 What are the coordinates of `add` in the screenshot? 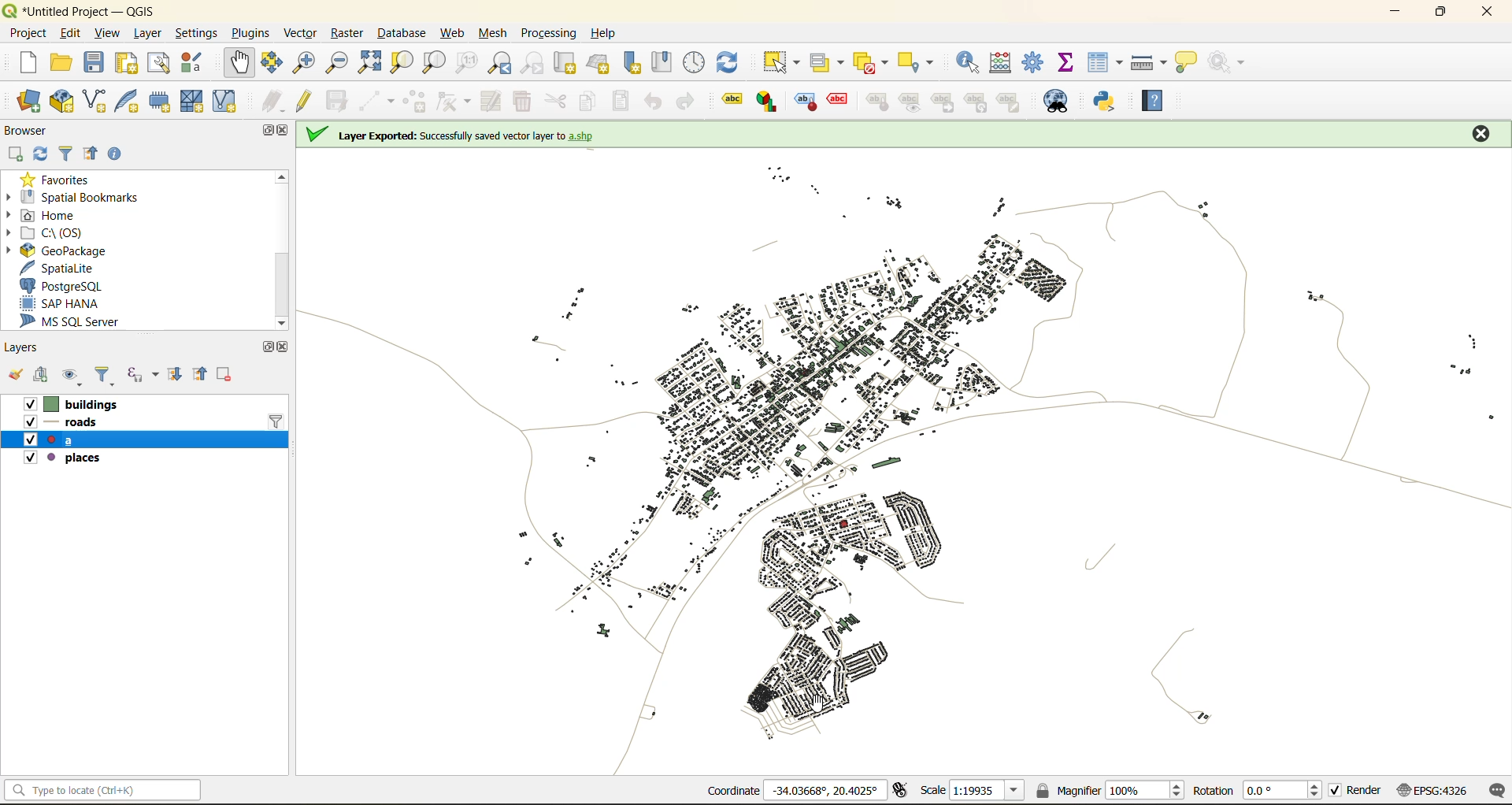 It's located at (46, 377).